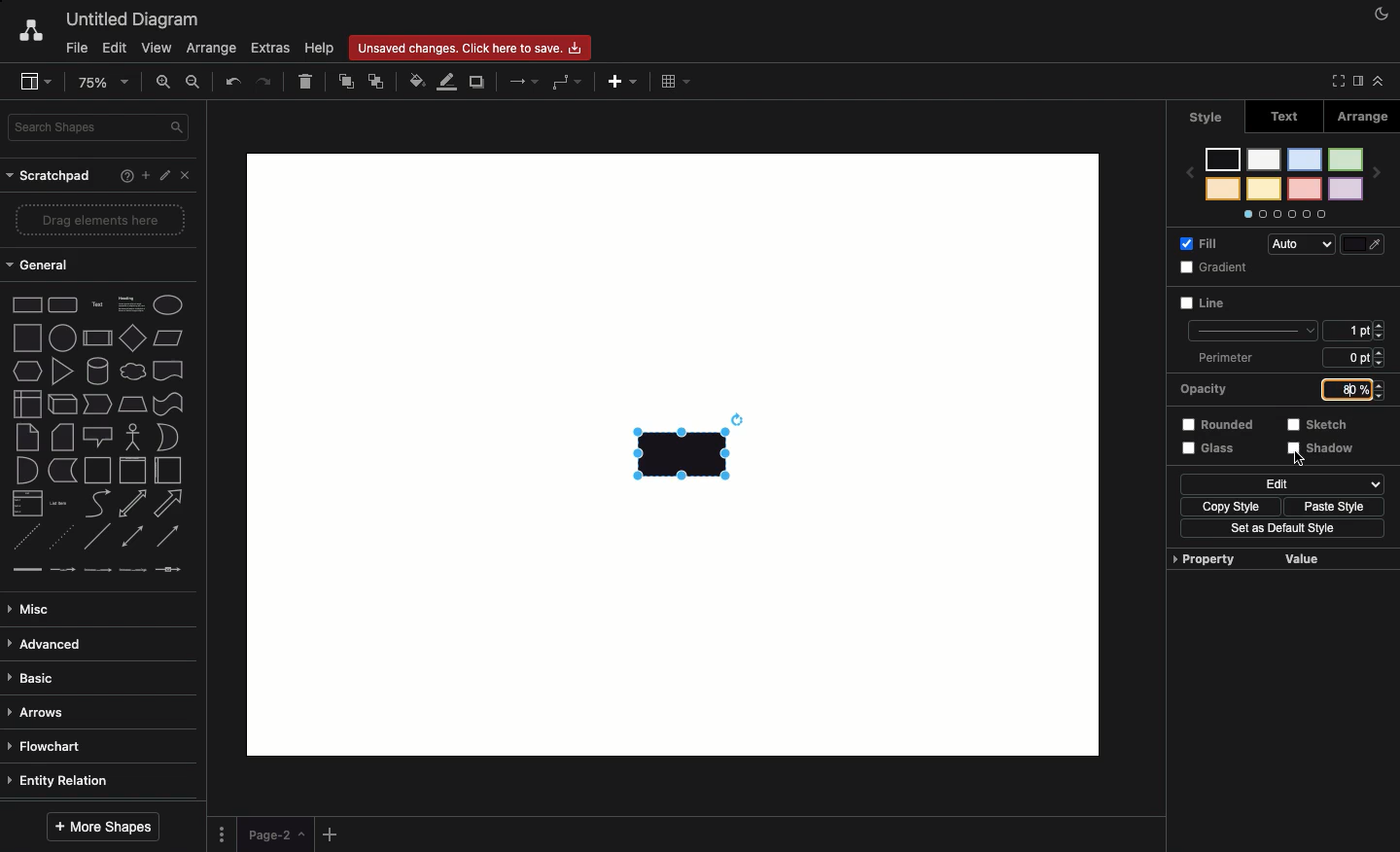  What do you see at coordinates (59, 403) in the screenshot?
I see `cube` at bounding box center [59, 403].